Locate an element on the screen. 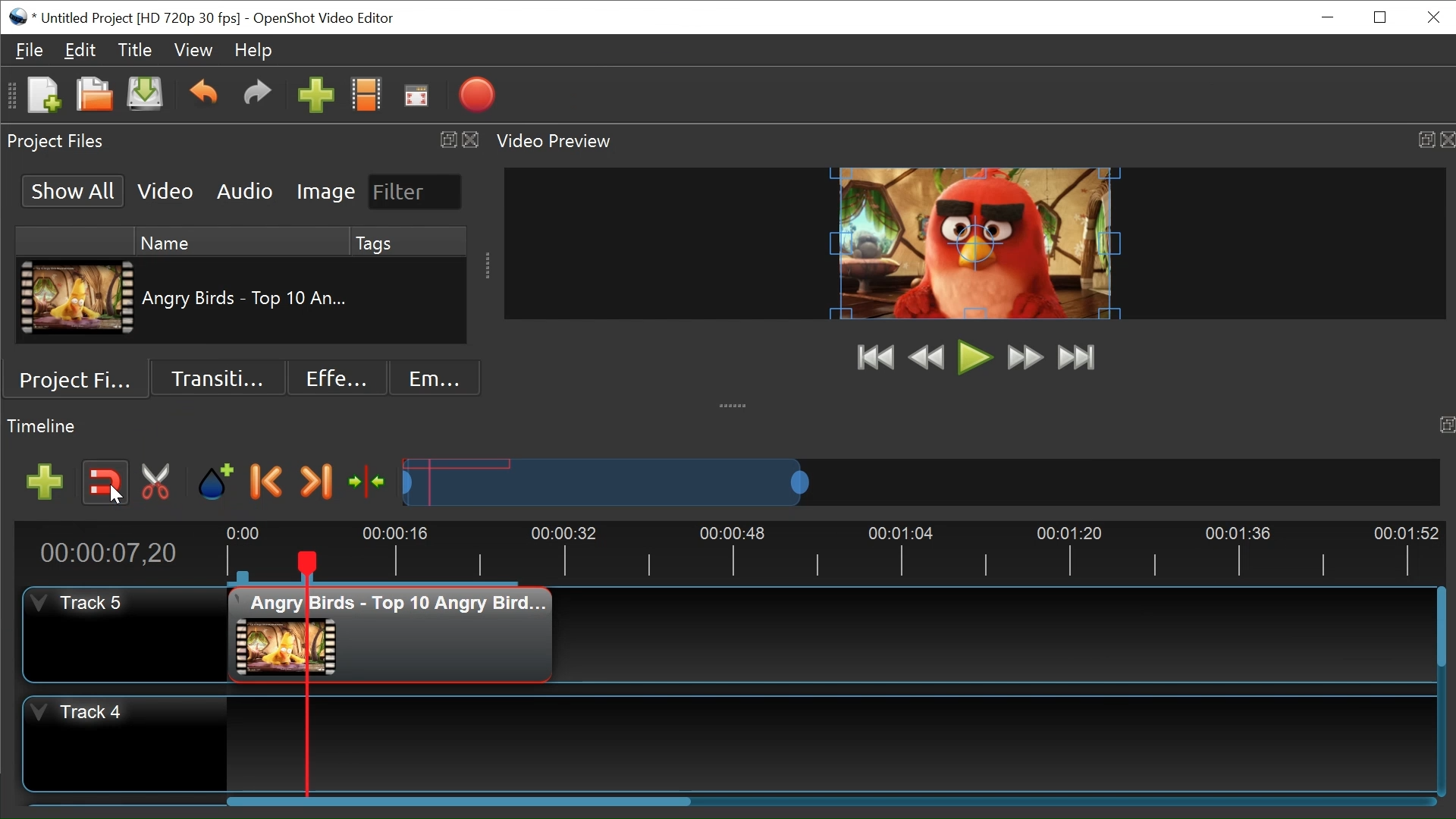  Center the timeline at Playhead is located at coordinates (369, 482).